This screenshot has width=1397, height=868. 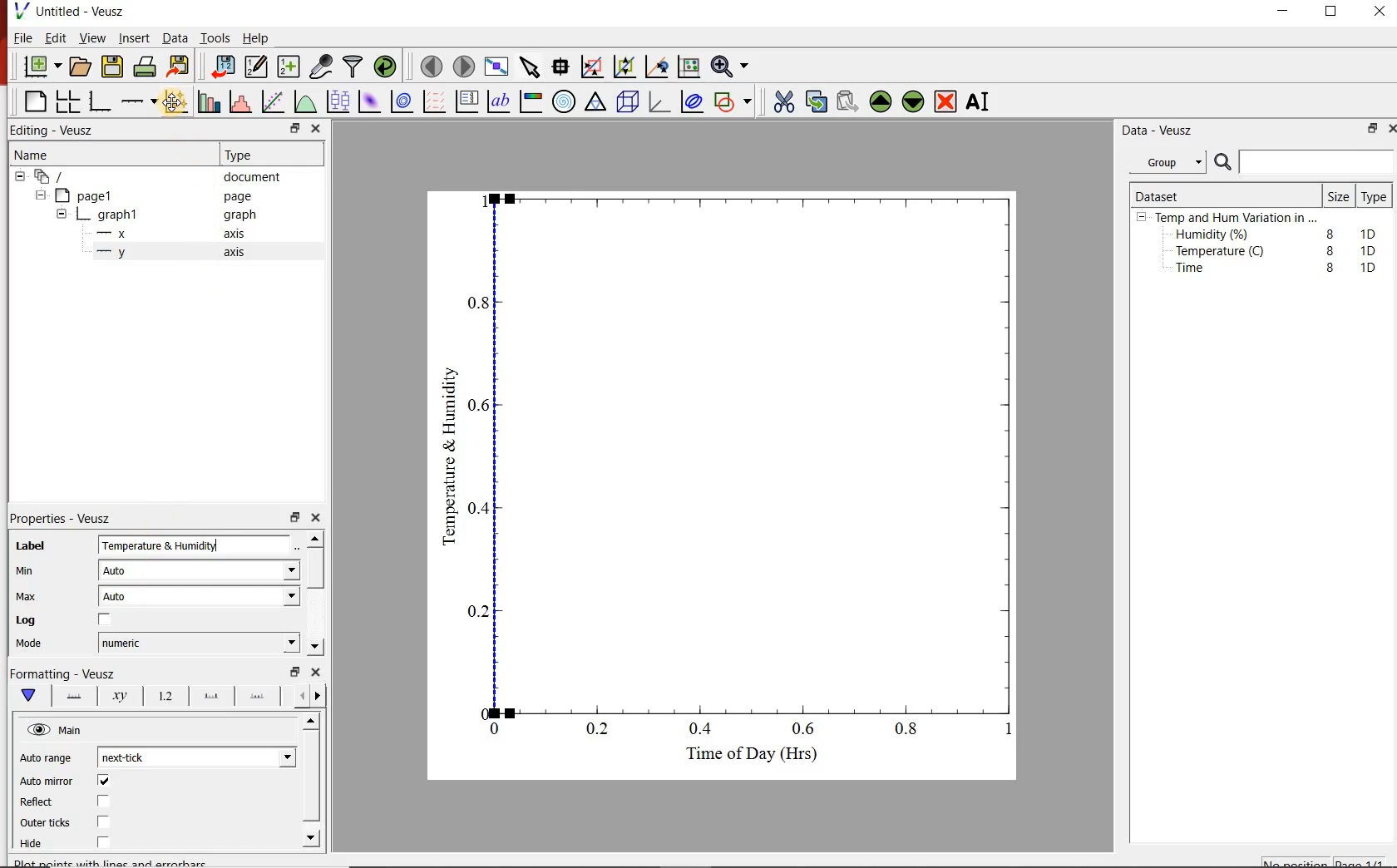 What do you see at coordinates (18, 179) in the screenshot?
I see `hide sub menu` at bounding box center [18, 179].